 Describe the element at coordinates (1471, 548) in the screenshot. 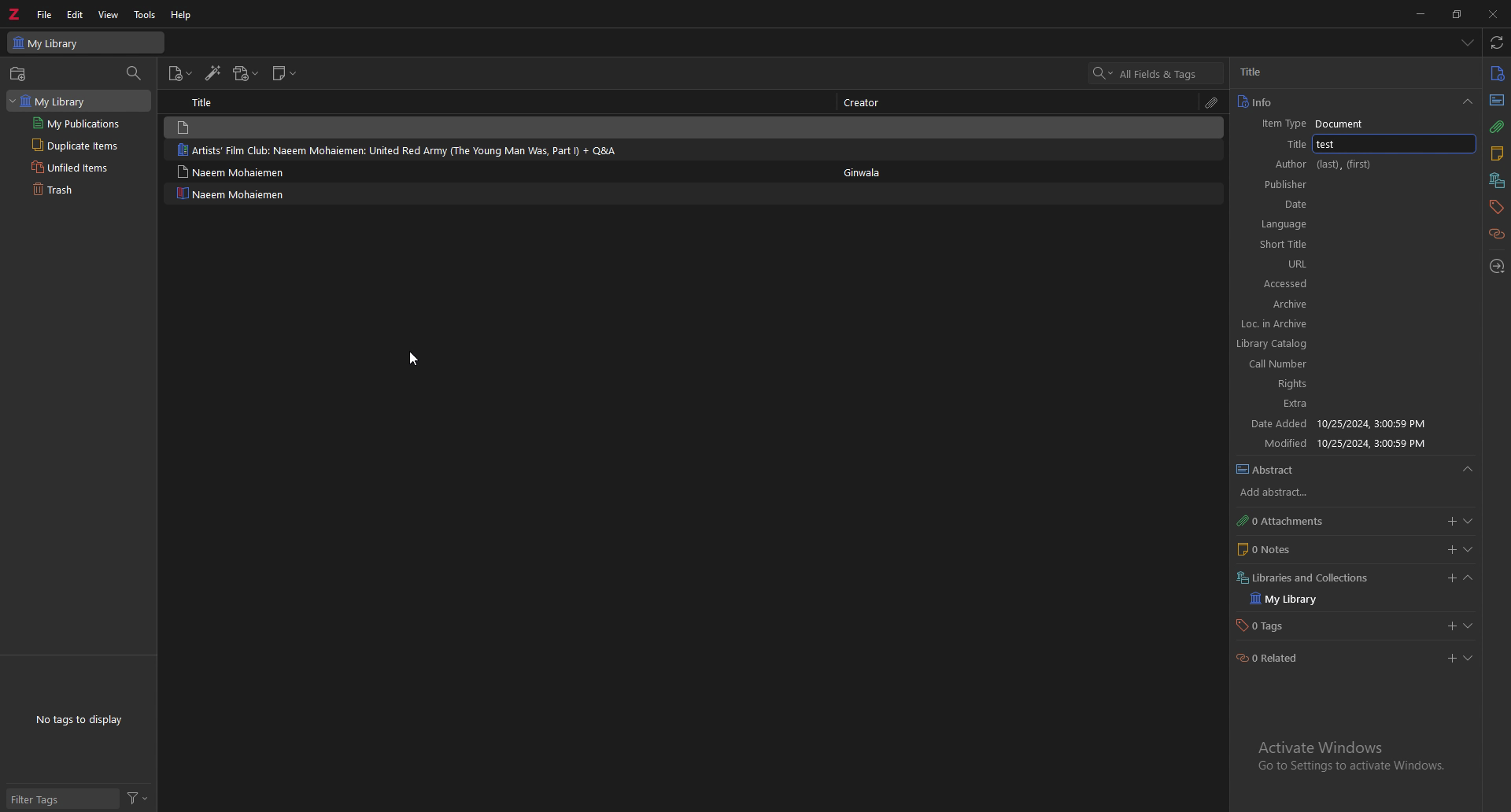

I see `expand section` at that location.